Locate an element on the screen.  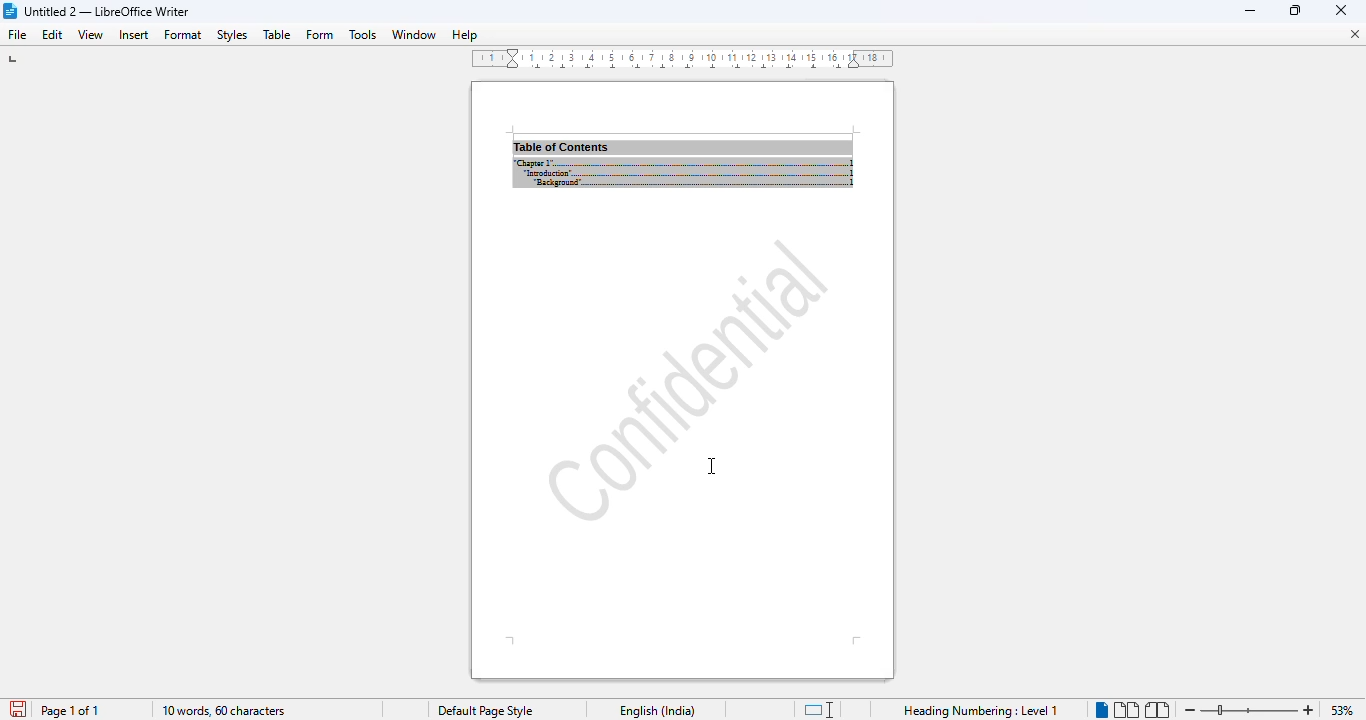
text language is located at coordinates (659, 710).